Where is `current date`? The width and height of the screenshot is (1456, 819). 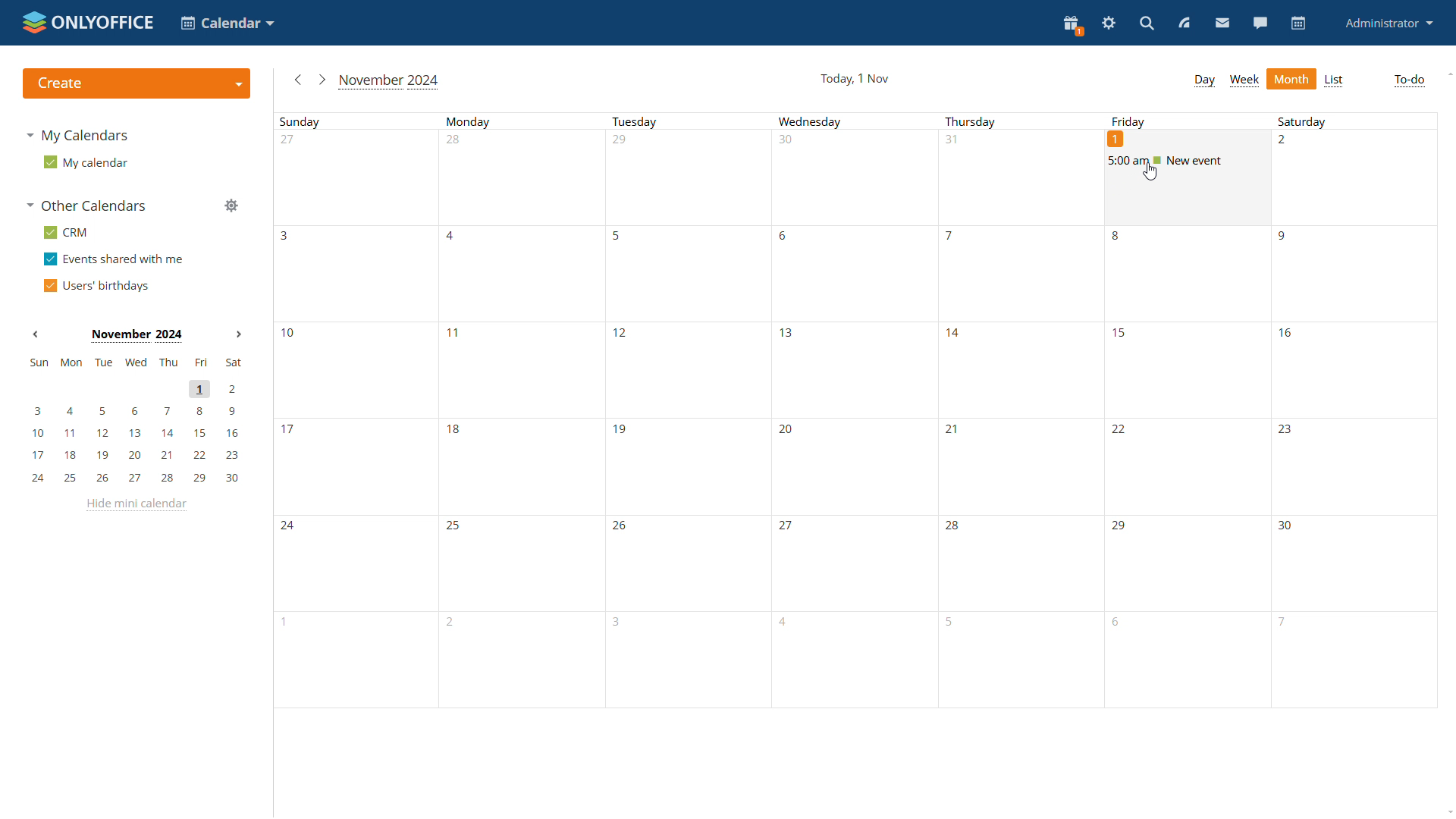
current date is located at coordinates (857, 78).